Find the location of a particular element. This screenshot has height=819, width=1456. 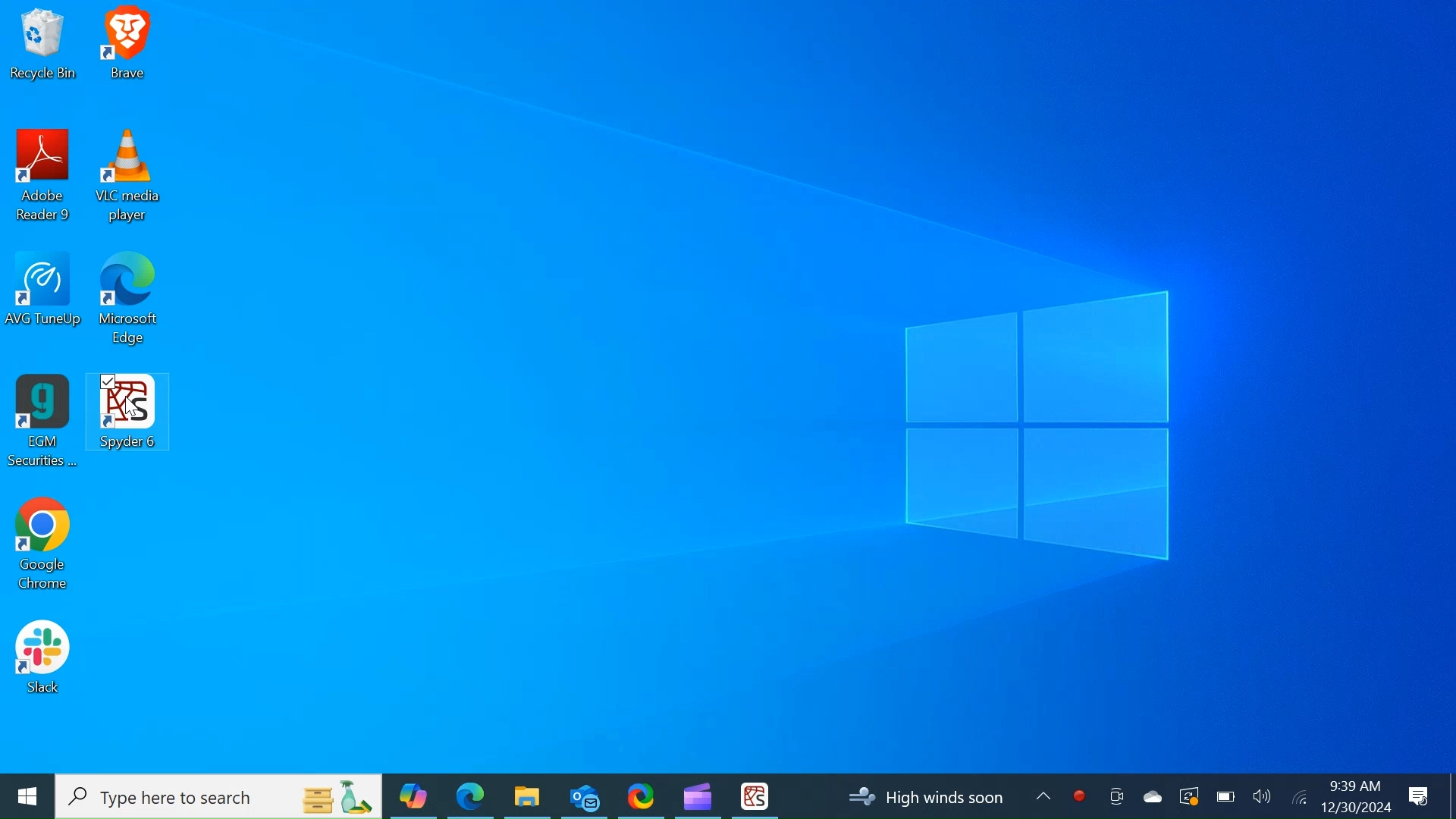

Microsoft Edge is located at coordinates (470, 795).